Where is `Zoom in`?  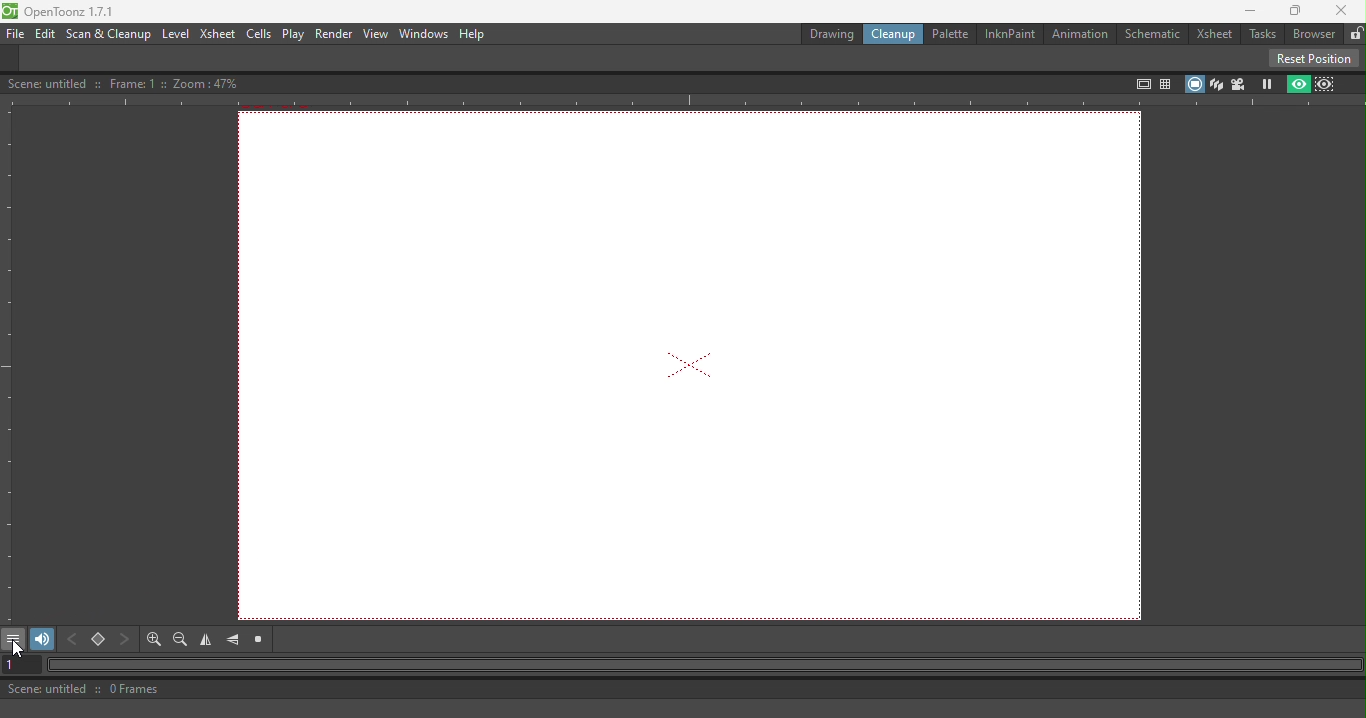
Zoom in is located at coordinates (155, 641).